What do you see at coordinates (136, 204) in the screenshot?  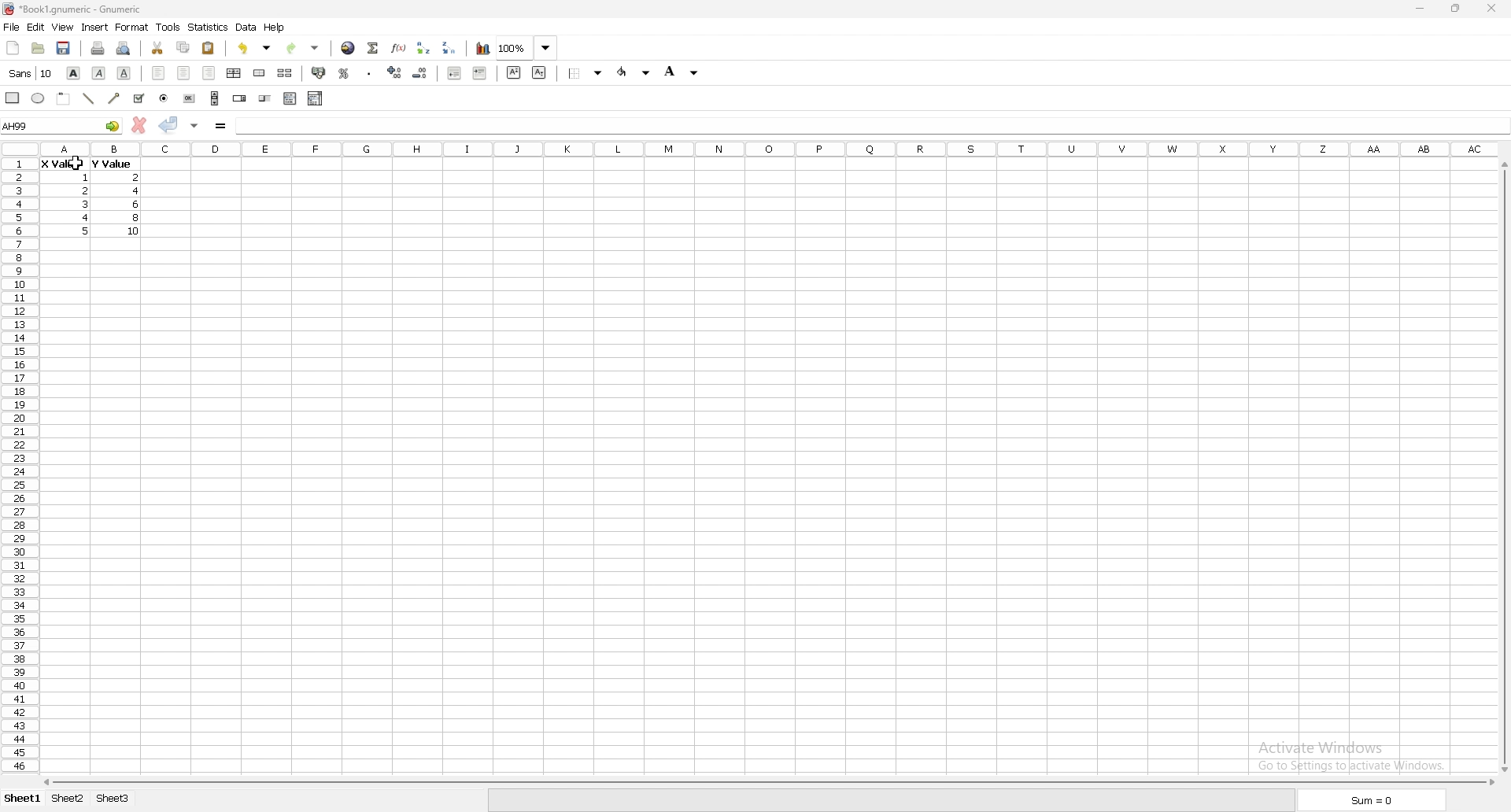 I see `value` at bounding box center [136, 204].